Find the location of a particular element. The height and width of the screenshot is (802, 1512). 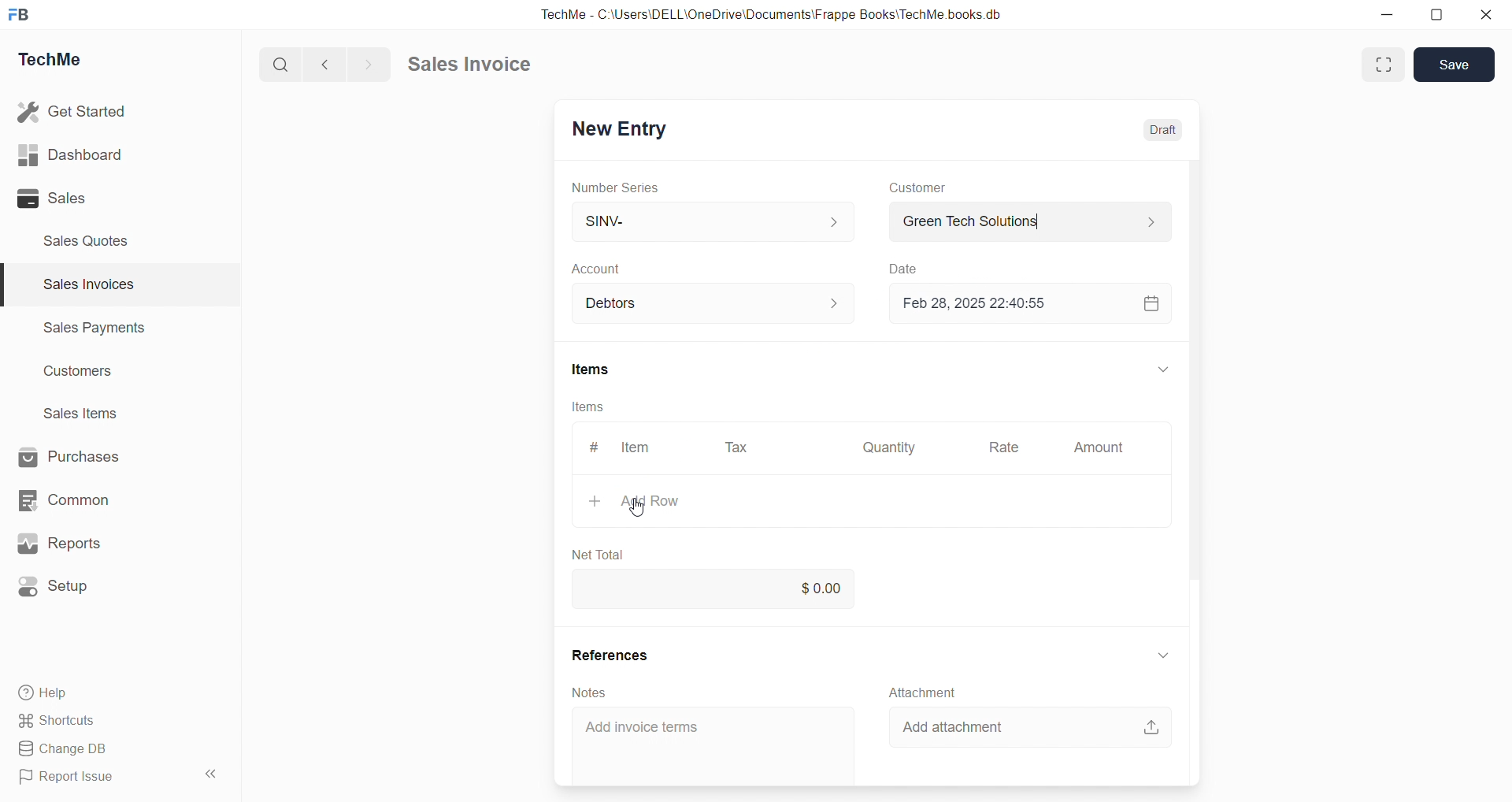

Feb 28, 2025 22:40:55 is located at coordinates (982, 303).